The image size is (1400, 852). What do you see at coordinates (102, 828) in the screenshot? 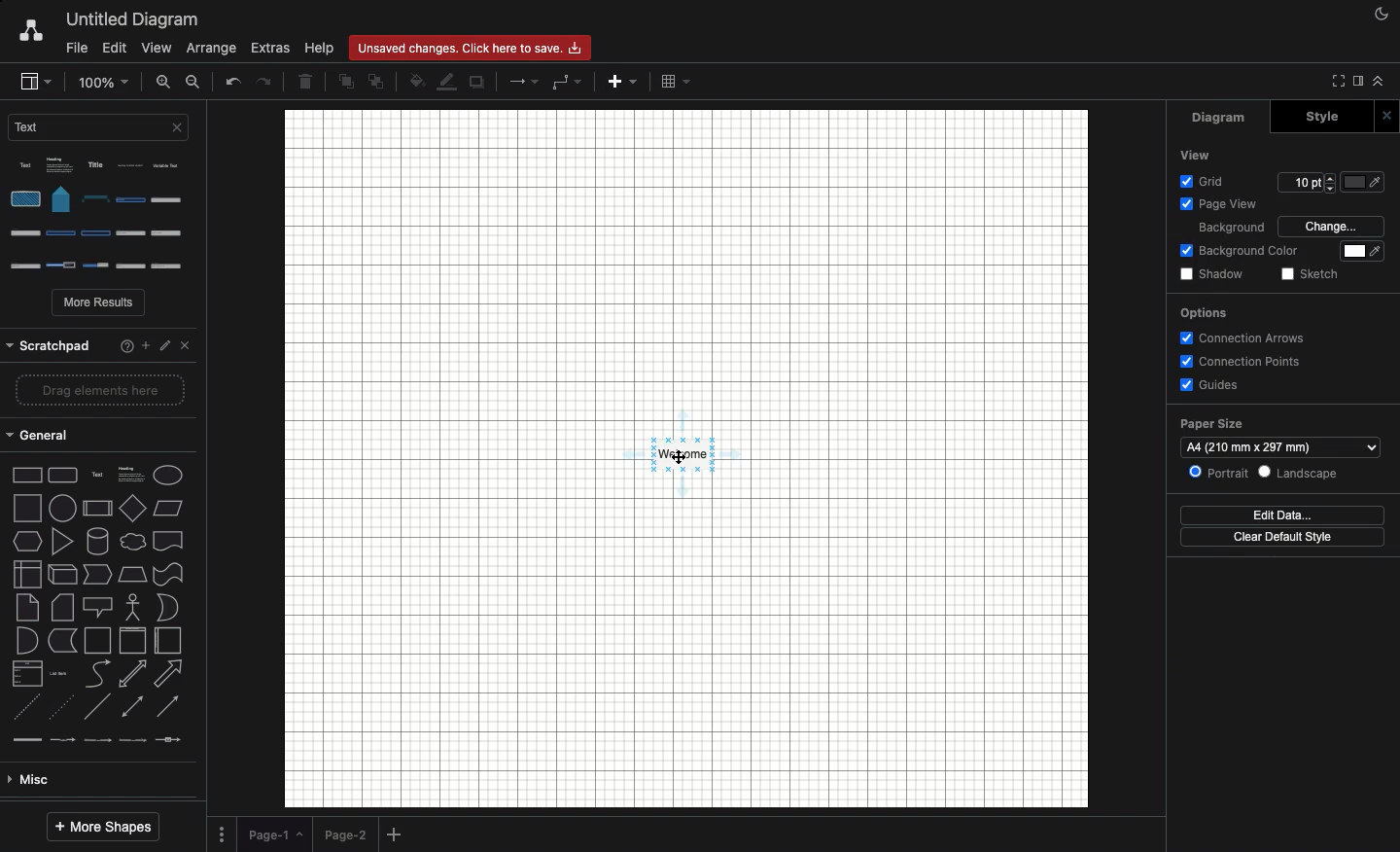
I see `More shapes` at bounding box center [102, 828].